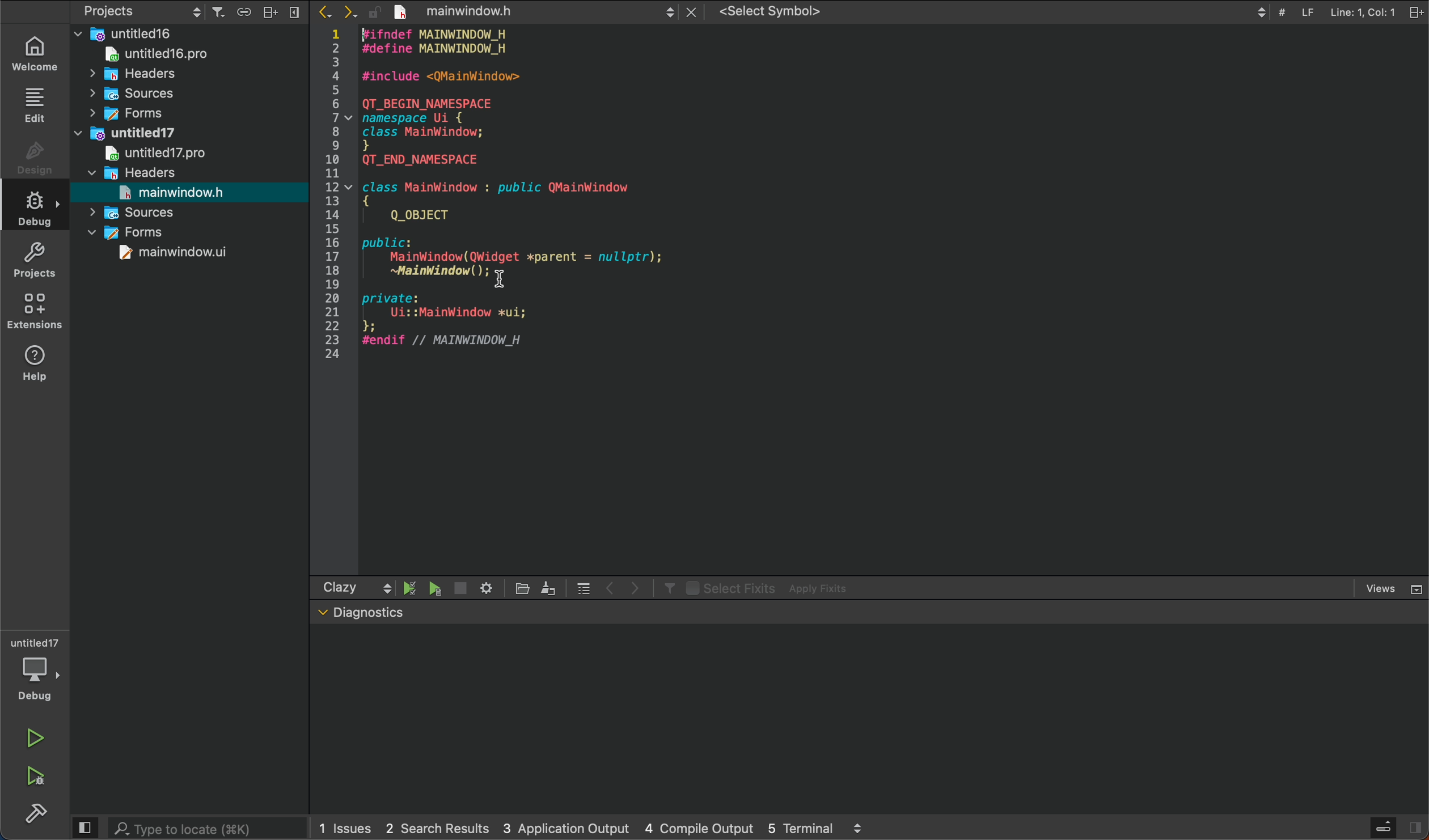  What do you see at coordinates (37, 105) in the screenshot?
I see `EDIT` at bounding box center [37, 105].